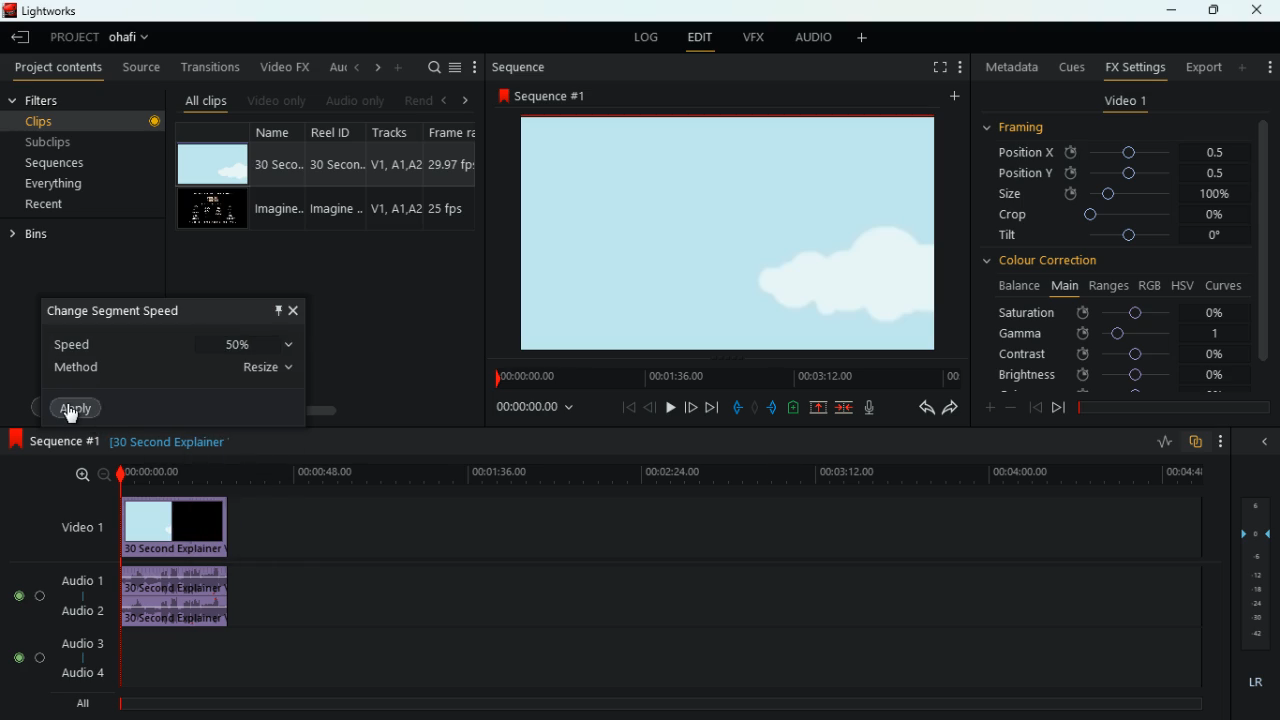 The width and height of the screenshot is (1280, 720). Describe the element at coordinates (1269, 66) in the screenshot. I see `add` at that location.